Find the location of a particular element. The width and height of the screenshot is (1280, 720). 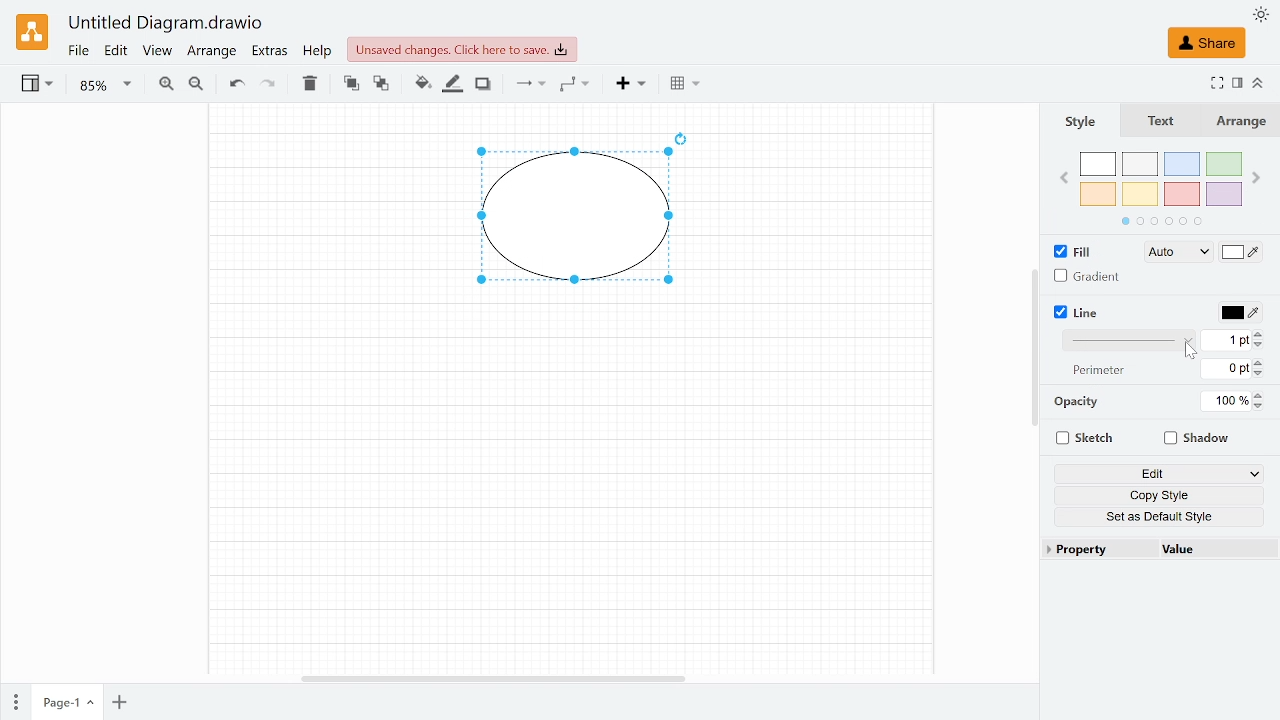

Delete is located at coordinates (310, 87).